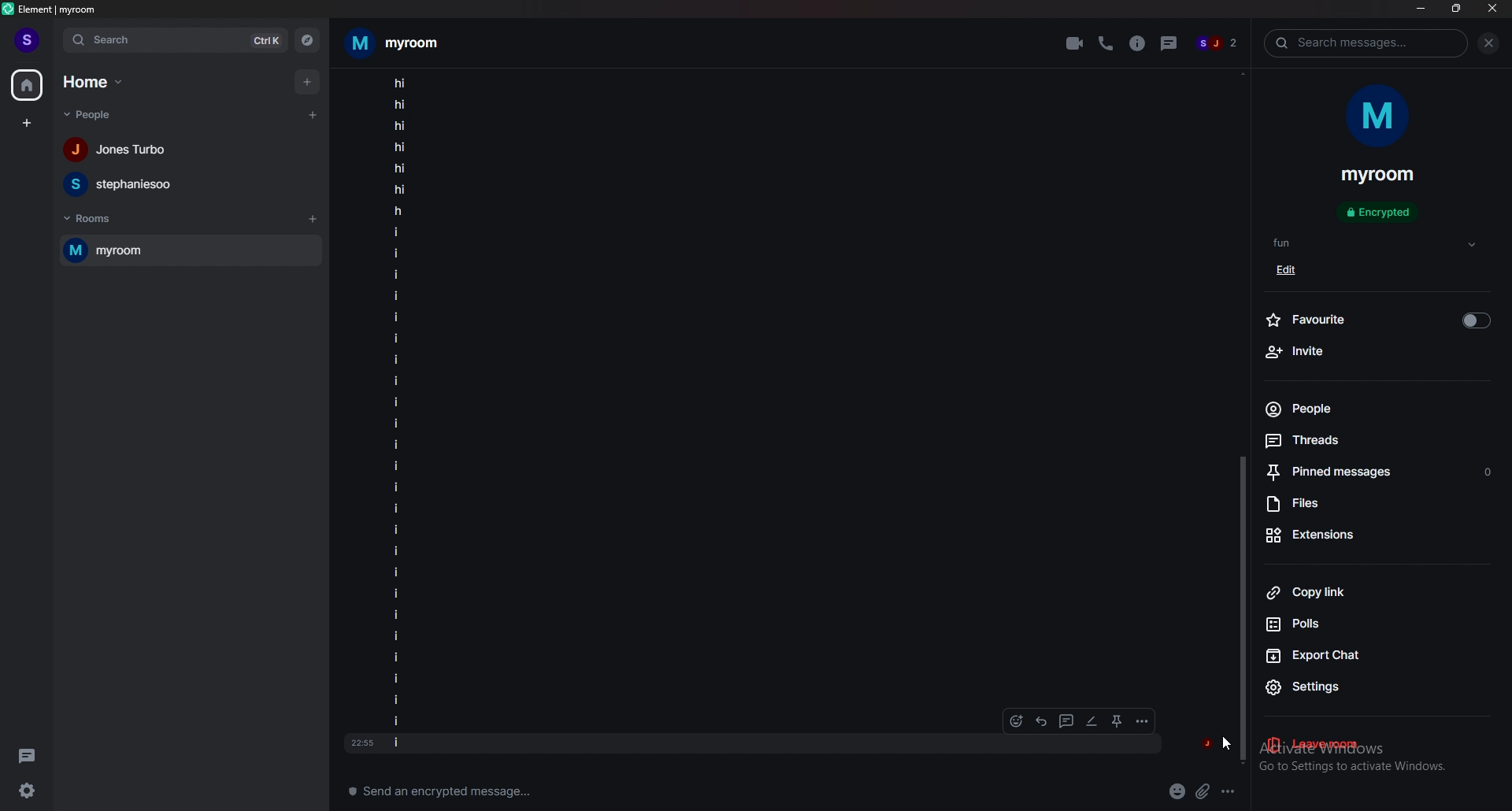 This screenshot has height=811, width=1512. I want to click on home, so click(27, 83).